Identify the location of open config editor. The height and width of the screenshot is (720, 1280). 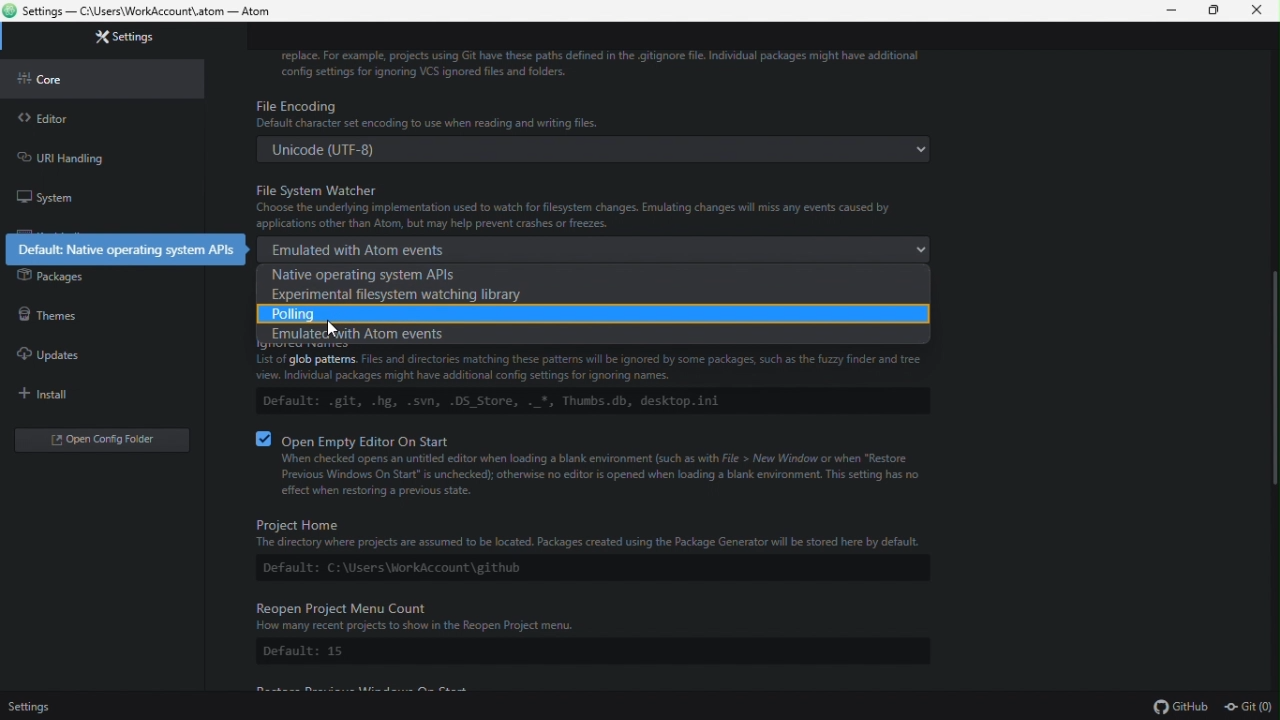
(97, 441).